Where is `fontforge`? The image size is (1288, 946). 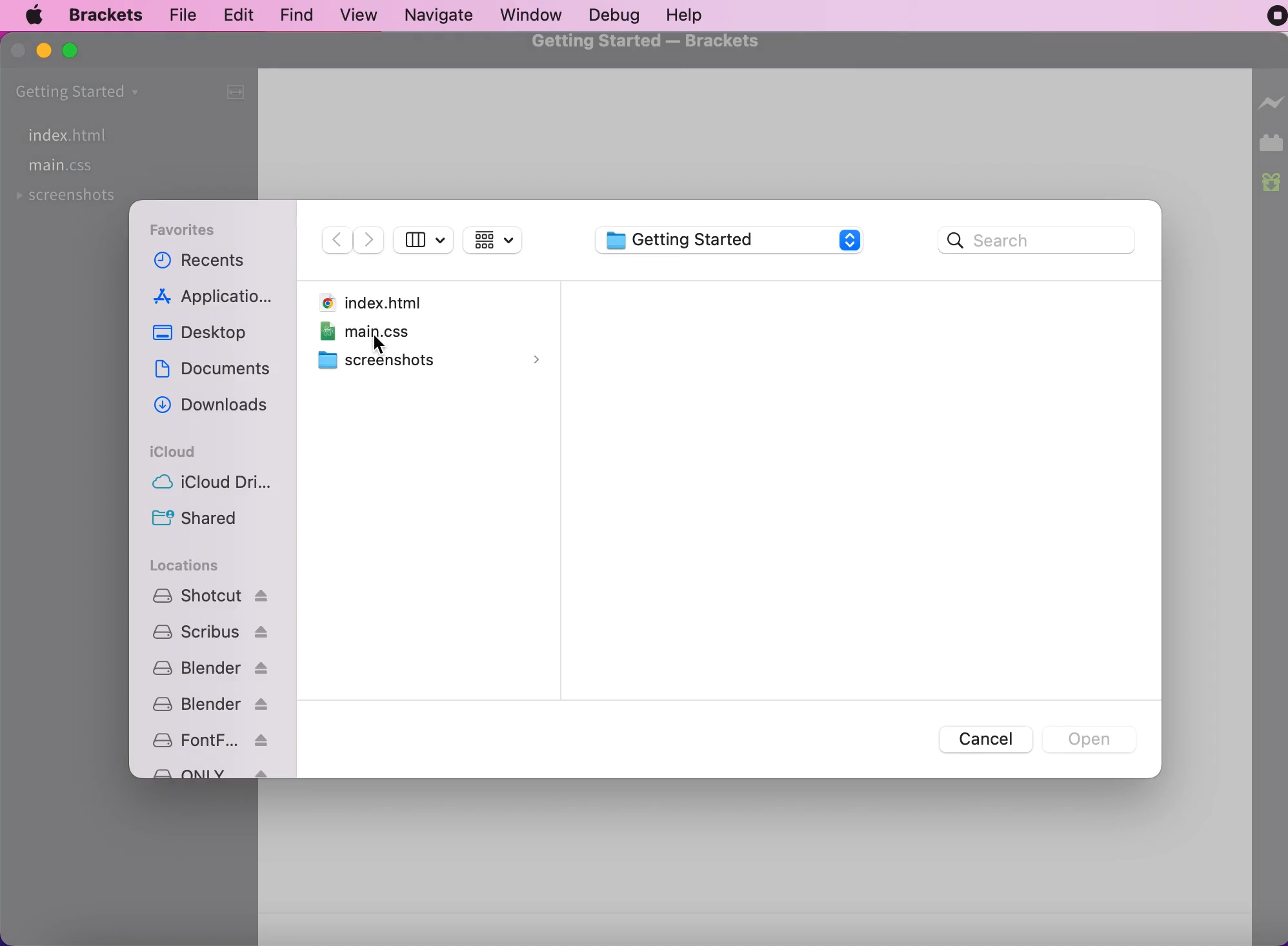 fontforge is located at coordinates (208, 740).